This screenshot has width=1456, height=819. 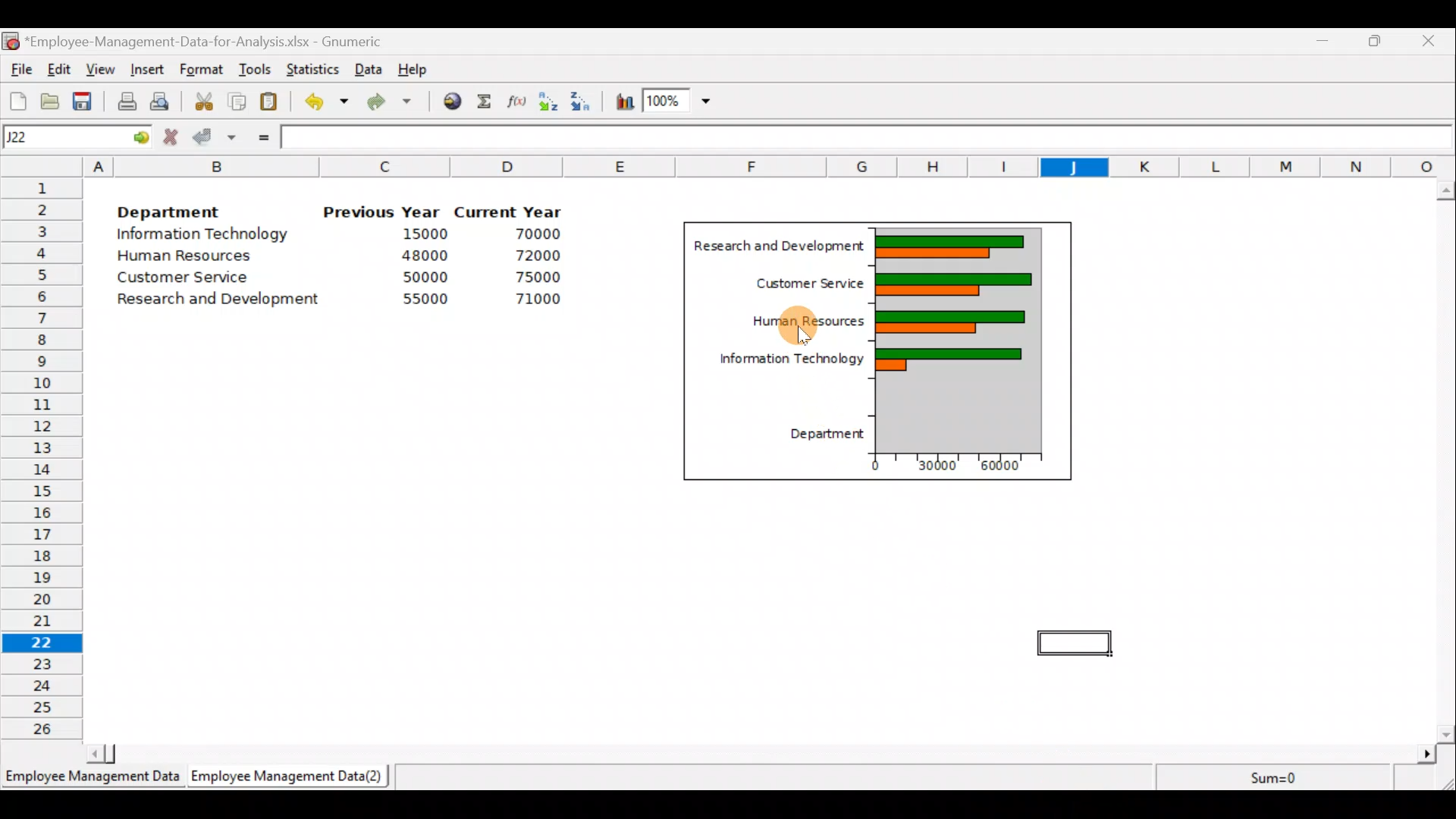 I want to click on Create a new workbook, so click(x=17, y=99).